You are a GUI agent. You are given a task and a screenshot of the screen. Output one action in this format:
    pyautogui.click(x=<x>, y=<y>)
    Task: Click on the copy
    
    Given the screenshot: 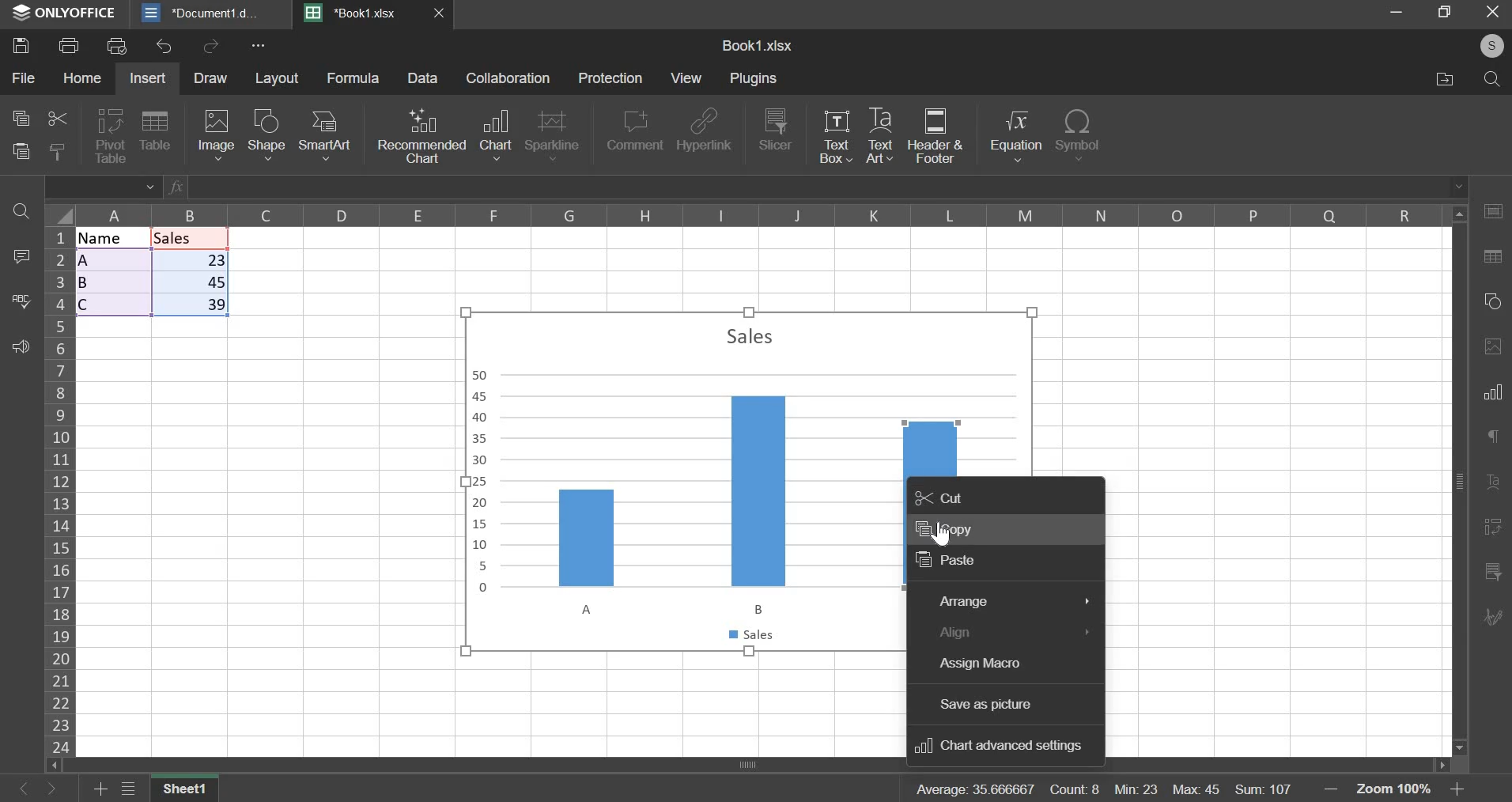 What is the action you would take?
    pyautogui.click(x=20, y=119)
    